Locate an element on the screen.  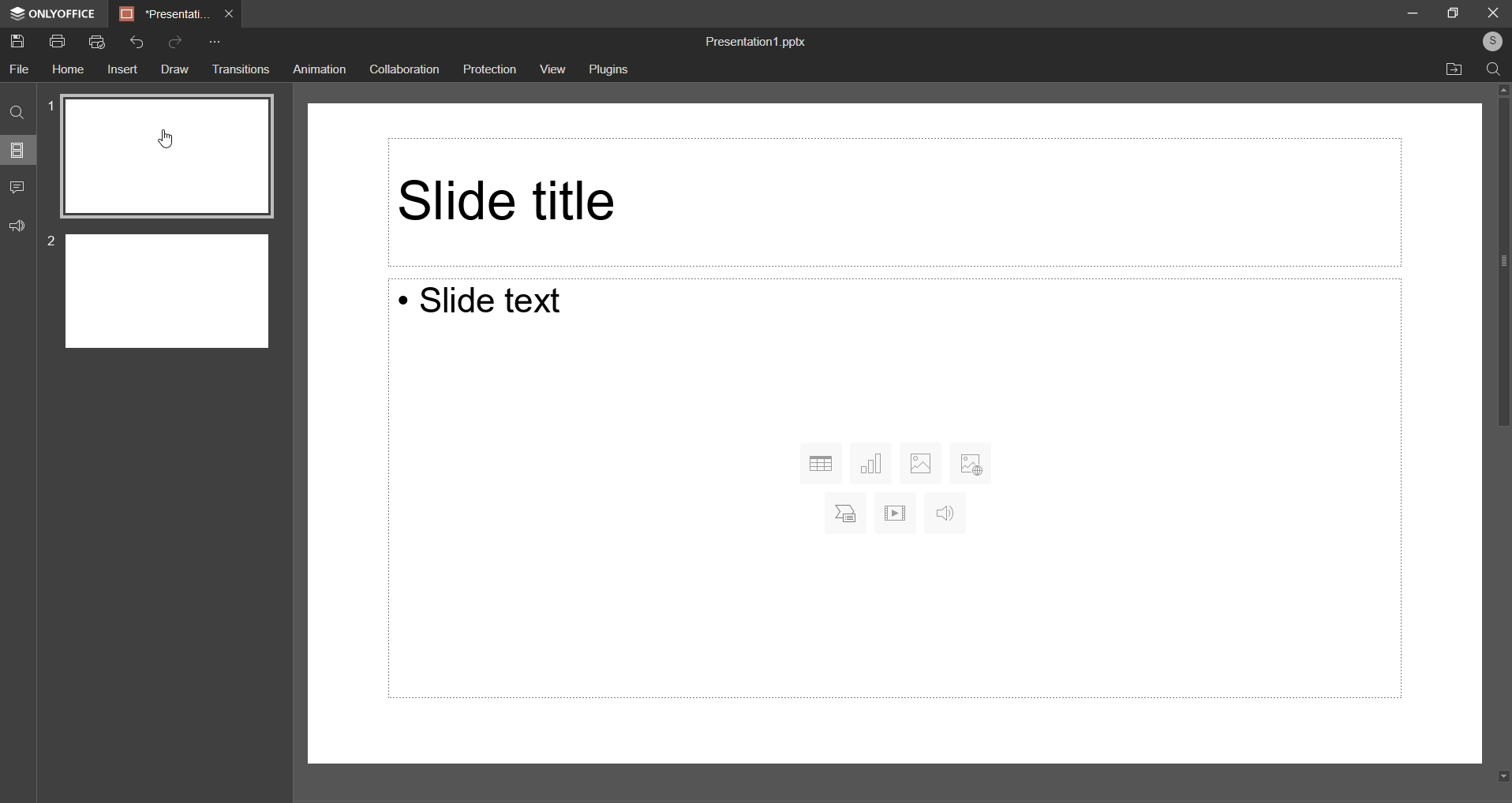
Comment is located at coordinates (17, 189).